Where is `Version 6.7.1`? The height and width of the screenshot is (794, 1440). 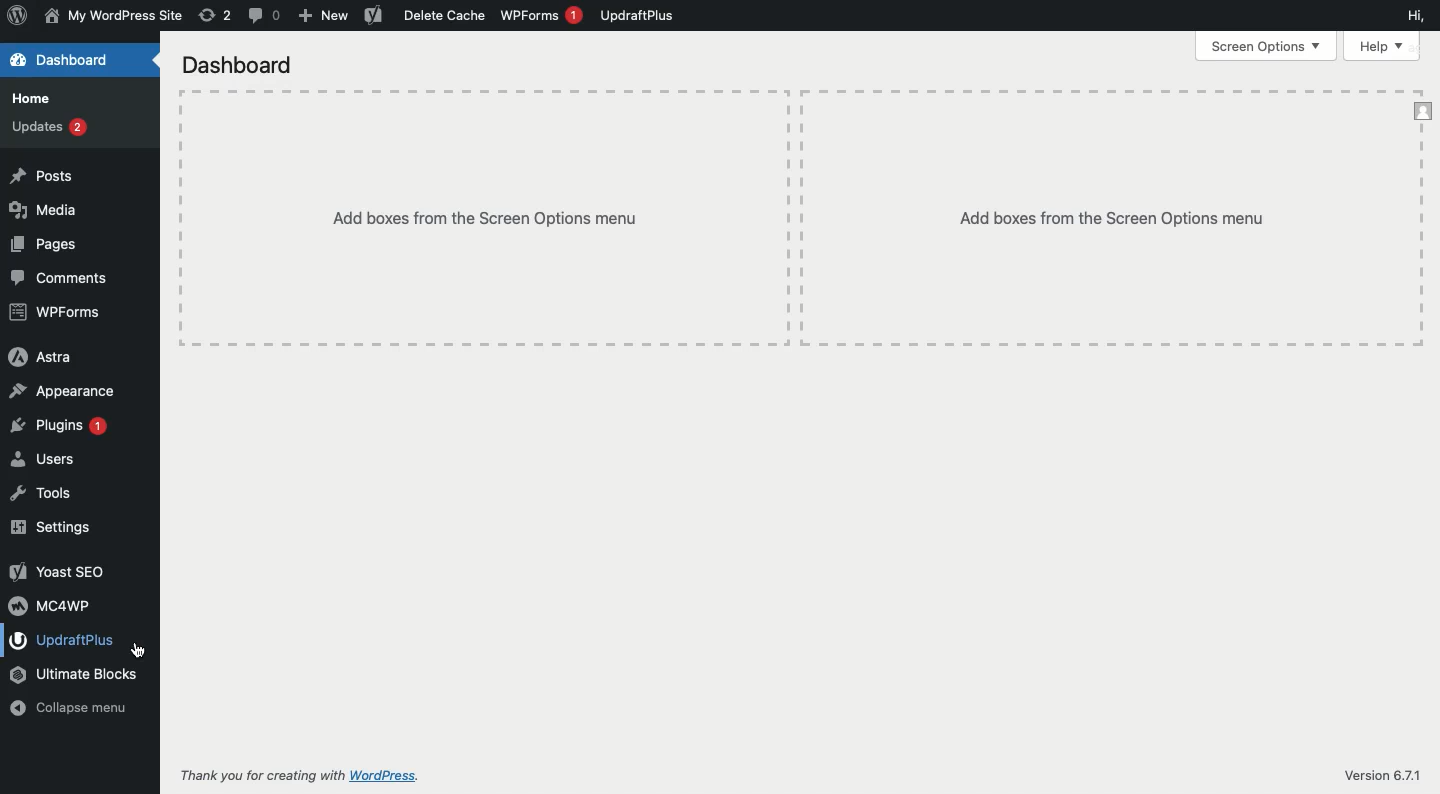 Version 6.7.1 is located at coordinates (1383, 768).